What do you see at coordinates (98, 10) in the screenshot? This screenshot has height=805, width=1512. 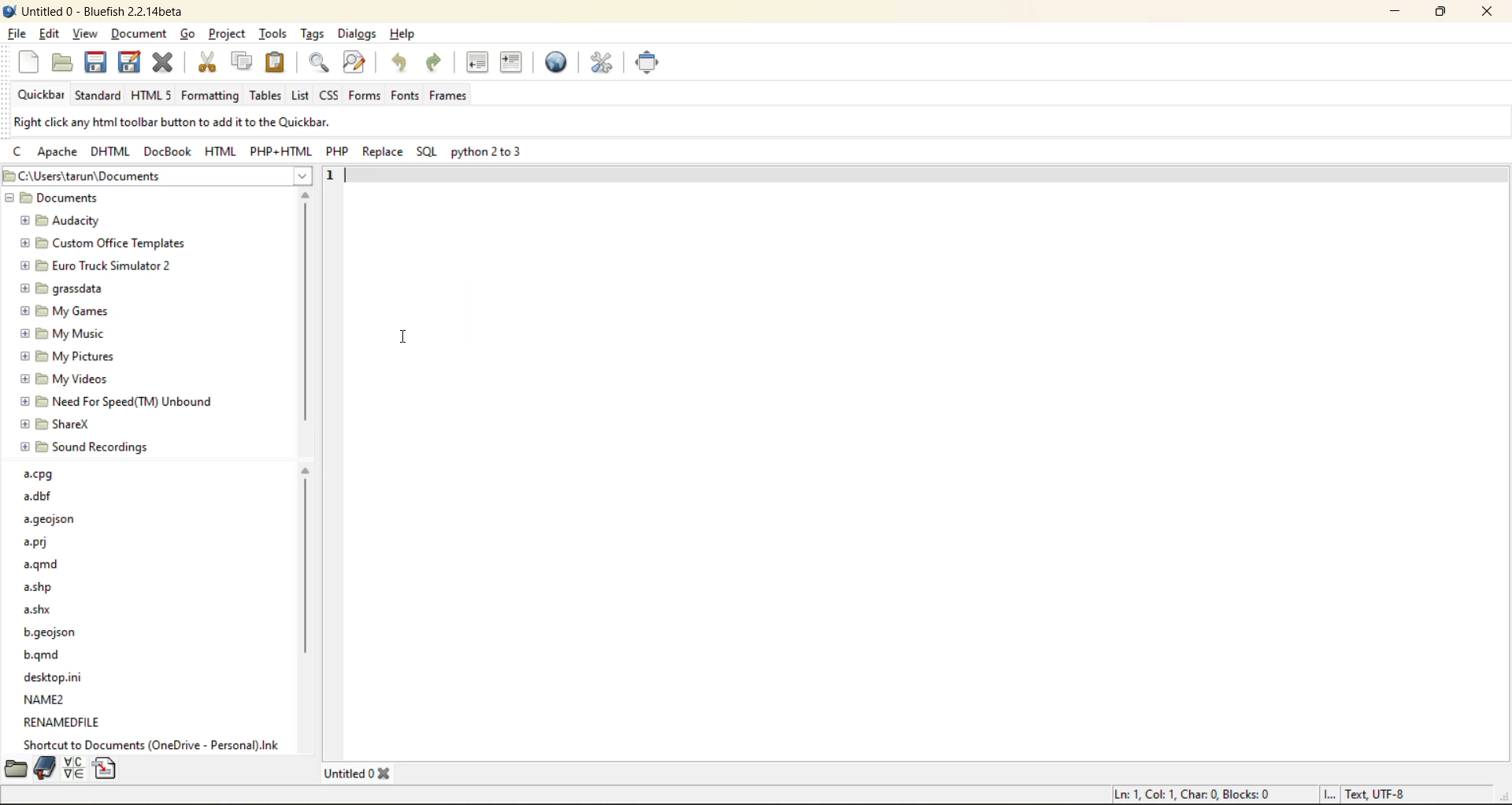 I see `Untitled 0 - Bluefish 2.2.14beta` at bounding box center [98, 10].